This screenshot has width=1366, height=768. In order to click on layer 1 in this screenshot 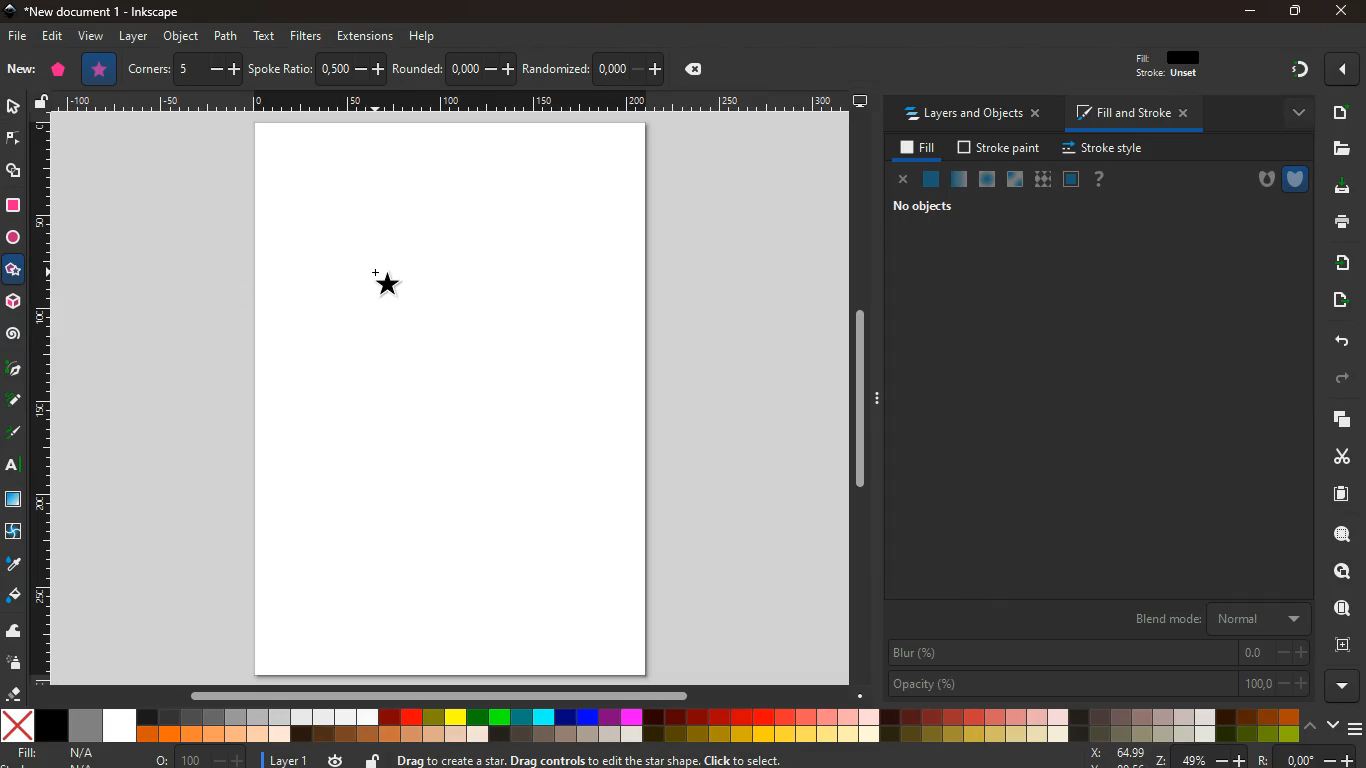, I will do `click(293, 760)`.